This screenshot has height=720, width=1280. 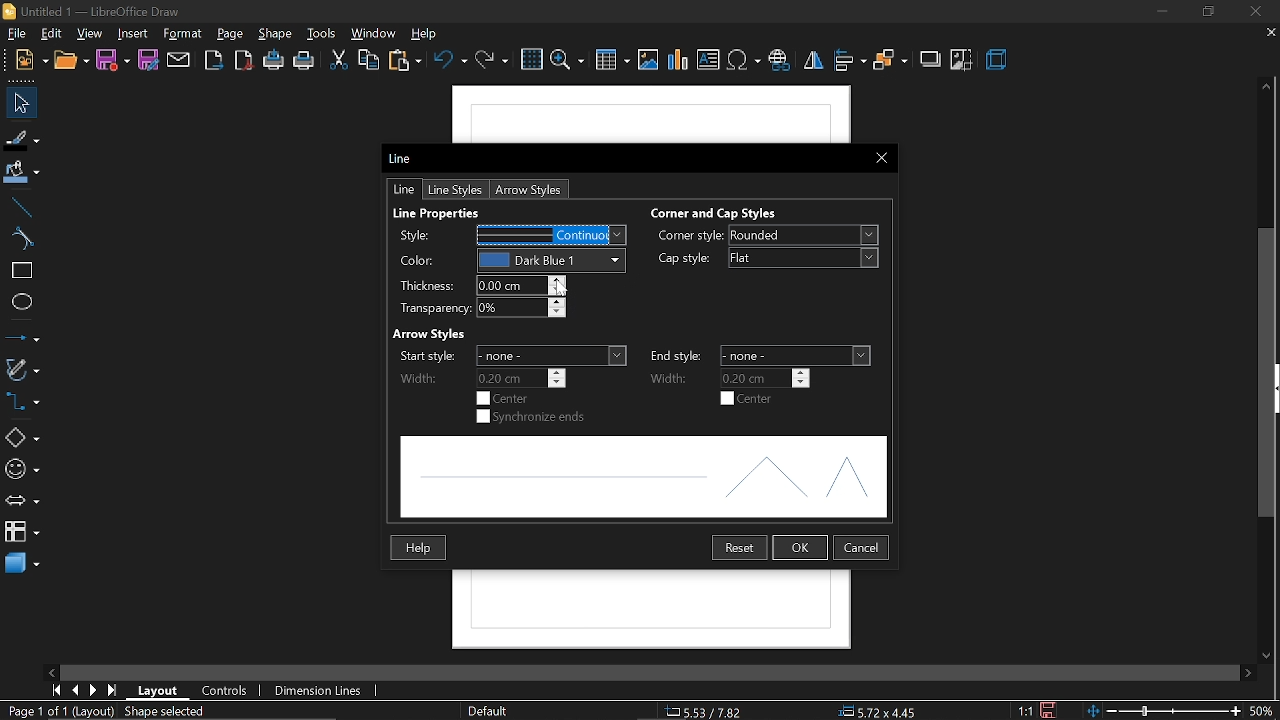 I want to click on Line Properties., so click(x=439, y=210).